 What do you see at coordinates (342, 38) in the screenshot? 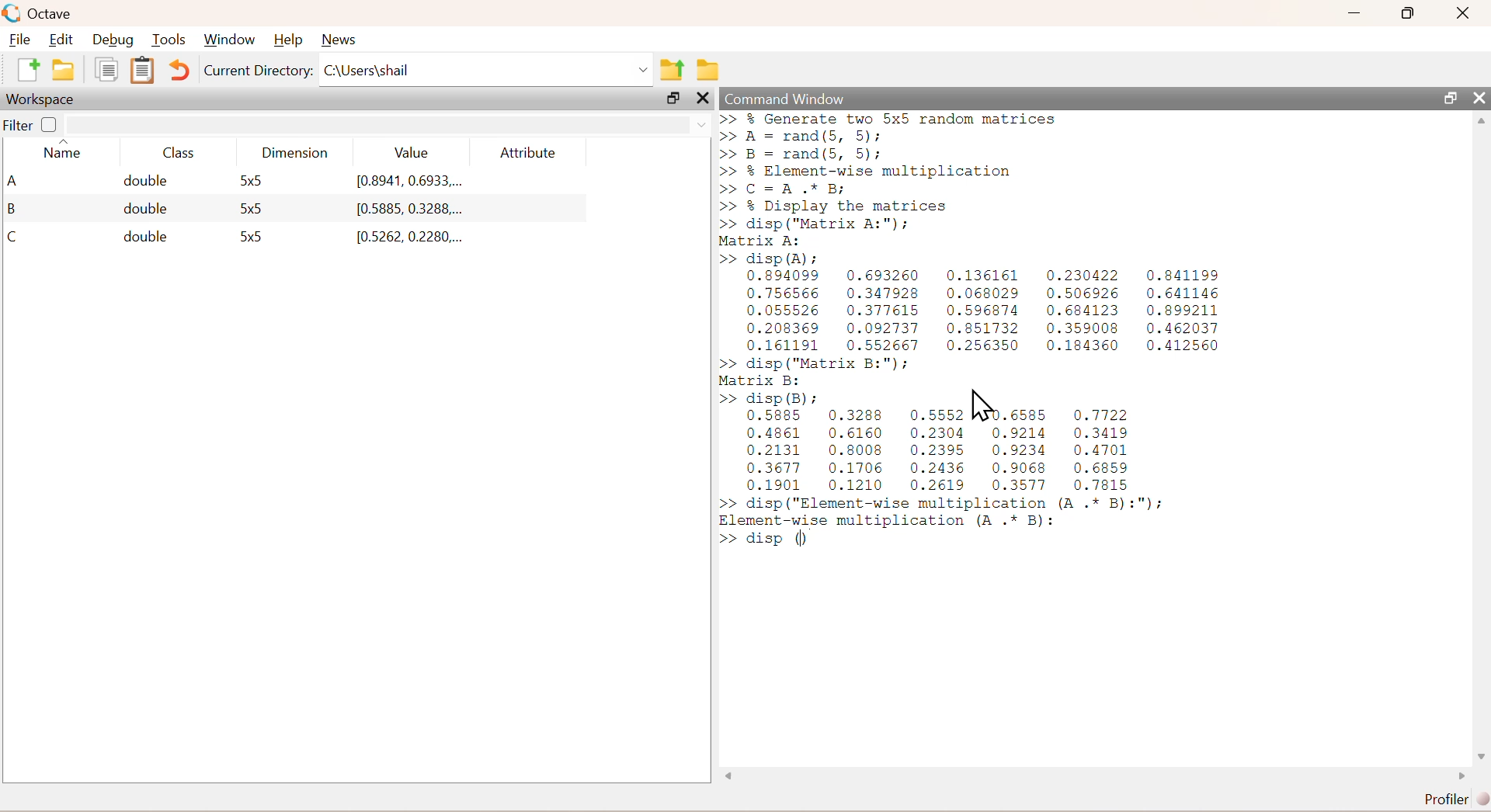
I see `News` at bounding box center [342, 38].